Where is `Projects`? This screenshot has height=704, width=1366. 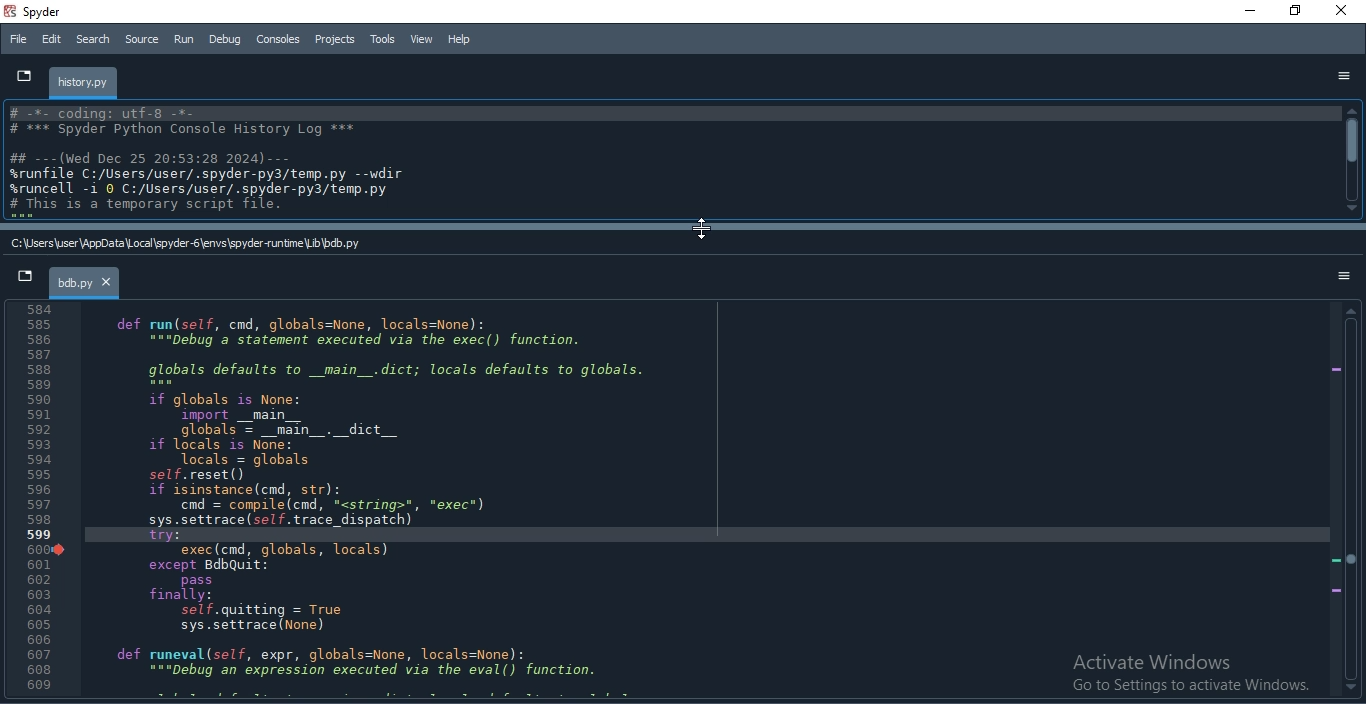 Projects is located at coordinates (337, 40).